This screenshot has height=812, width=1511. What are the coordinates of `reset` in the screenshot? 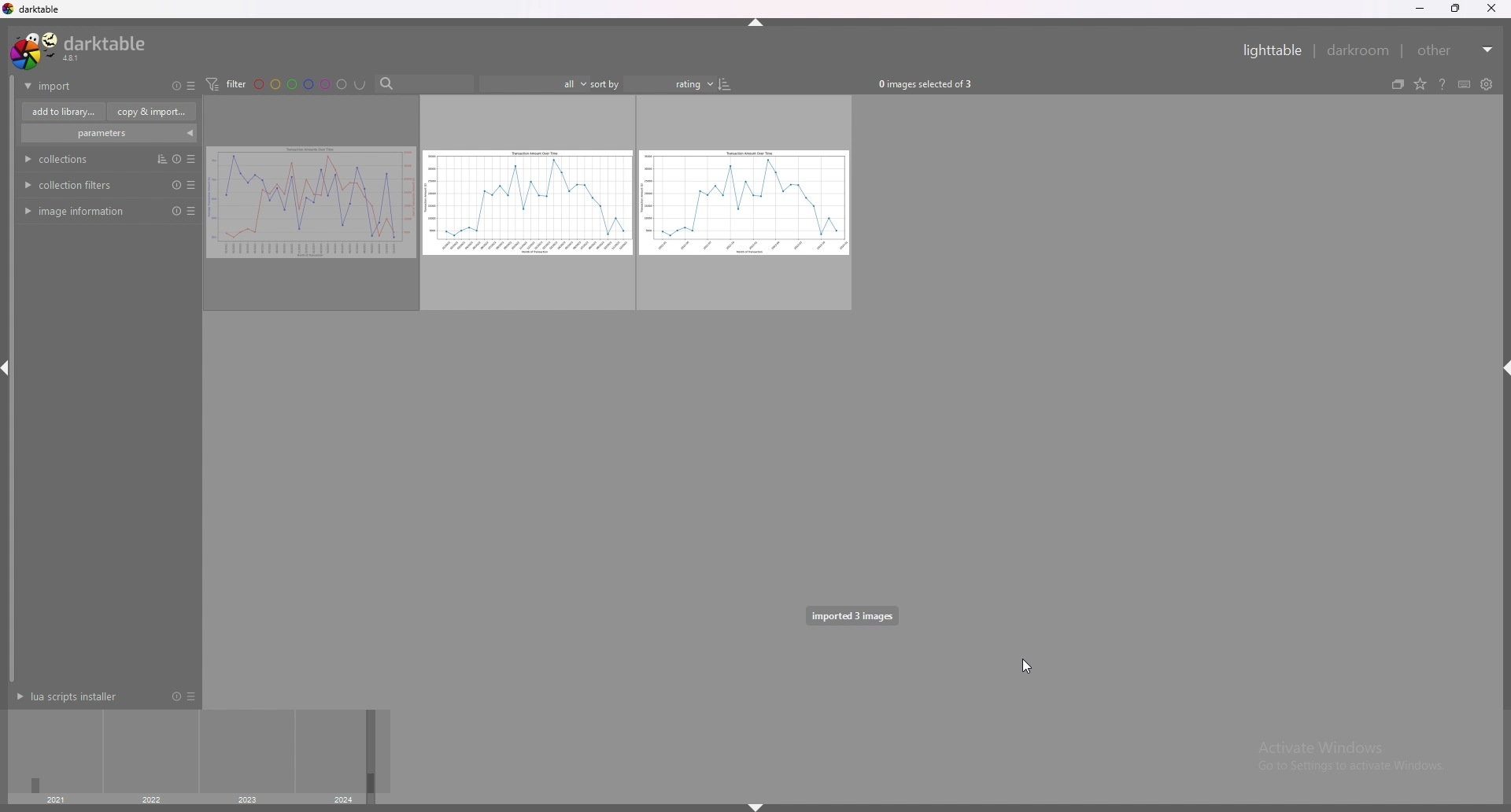 It's located at (174, 211).